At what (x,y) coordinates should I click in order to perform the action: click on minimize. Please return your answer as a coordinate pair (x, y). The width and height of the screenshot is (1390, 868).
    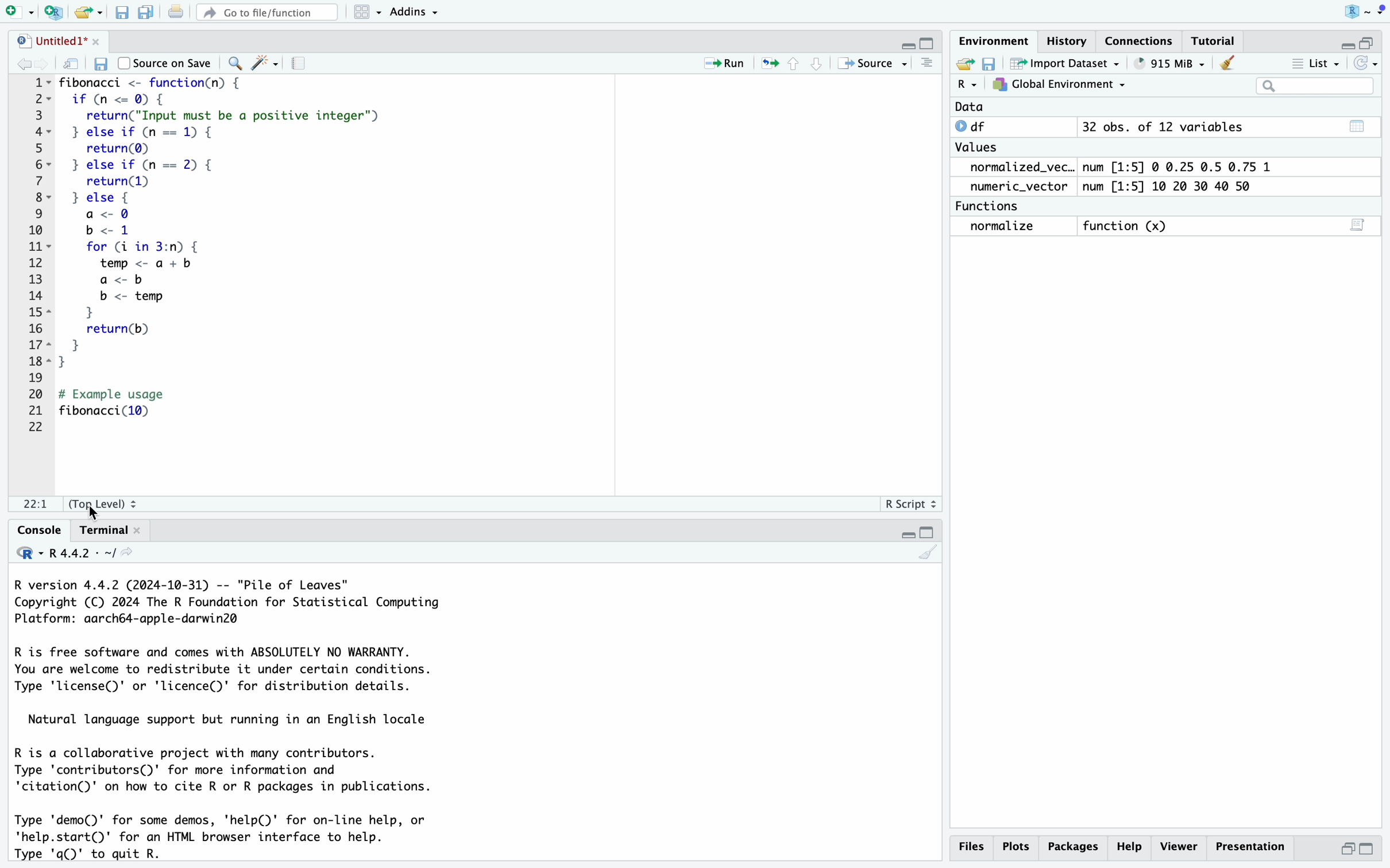
    Looking at the image, I should click on (1344, 41).